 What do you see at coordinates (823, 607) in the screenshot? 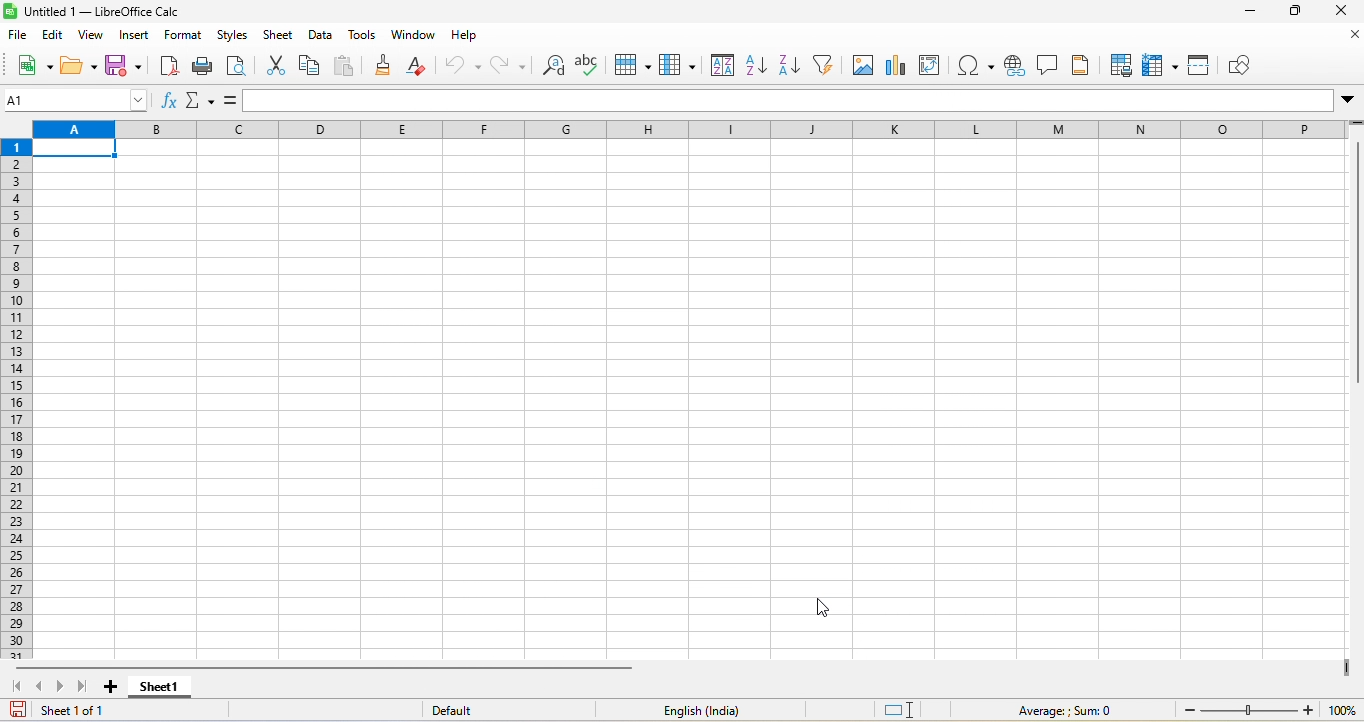
I see `cursor` at bounding box center [823, 607].